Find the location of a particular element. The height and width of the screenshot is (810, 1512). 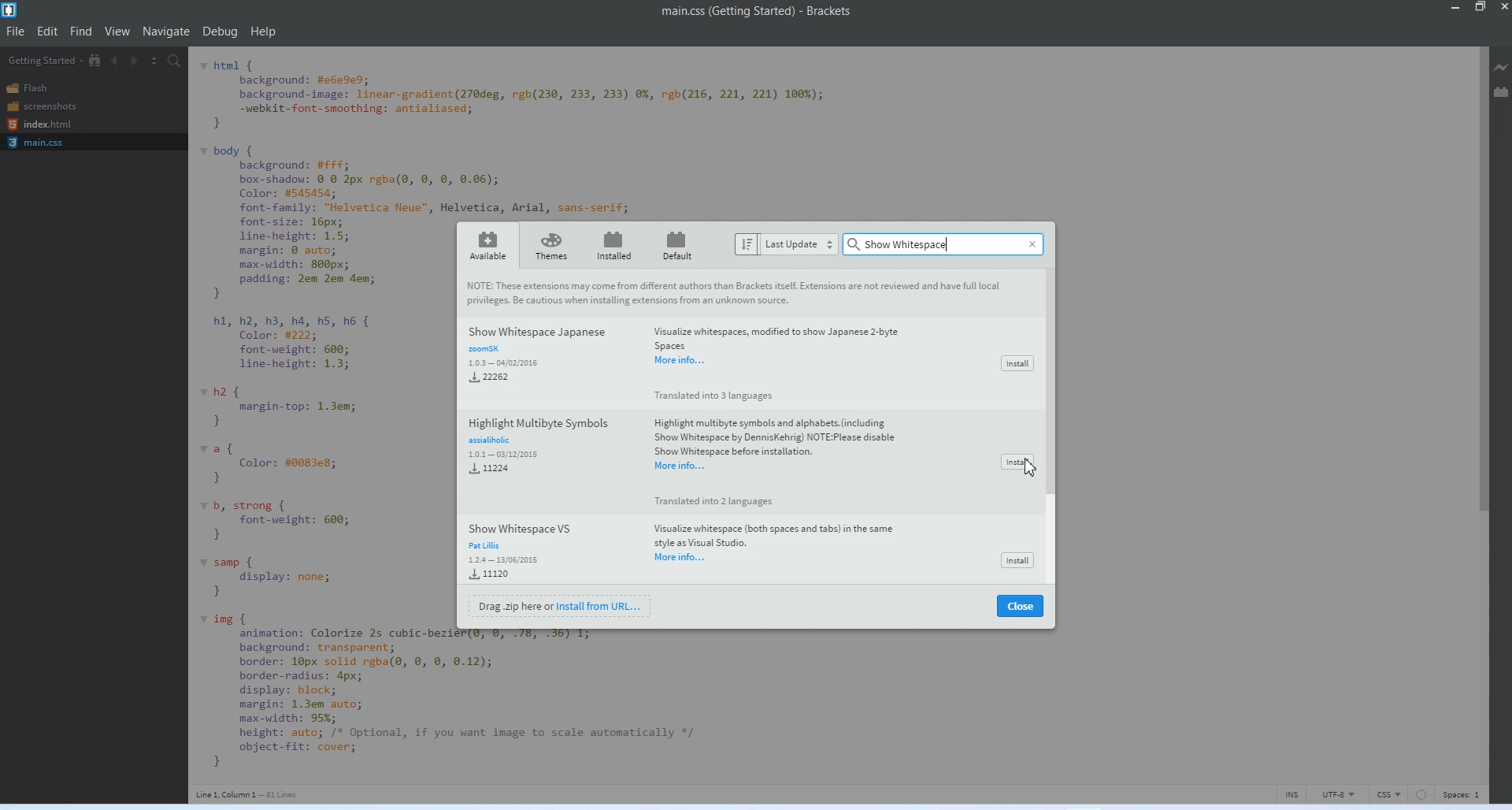

Installed is located at coordinates (610, 245).